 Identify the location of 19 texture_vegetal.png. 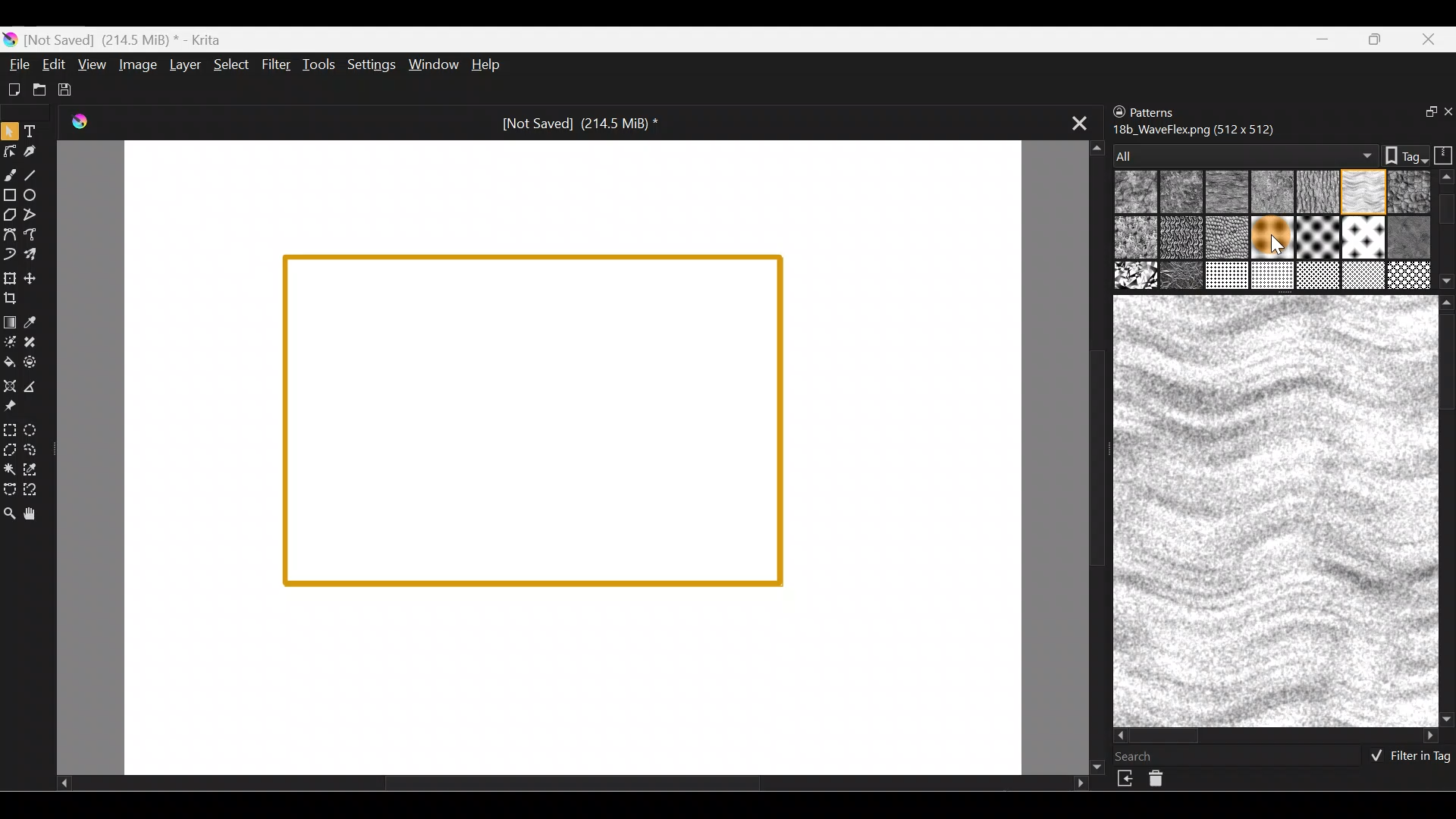
(1409, 275).